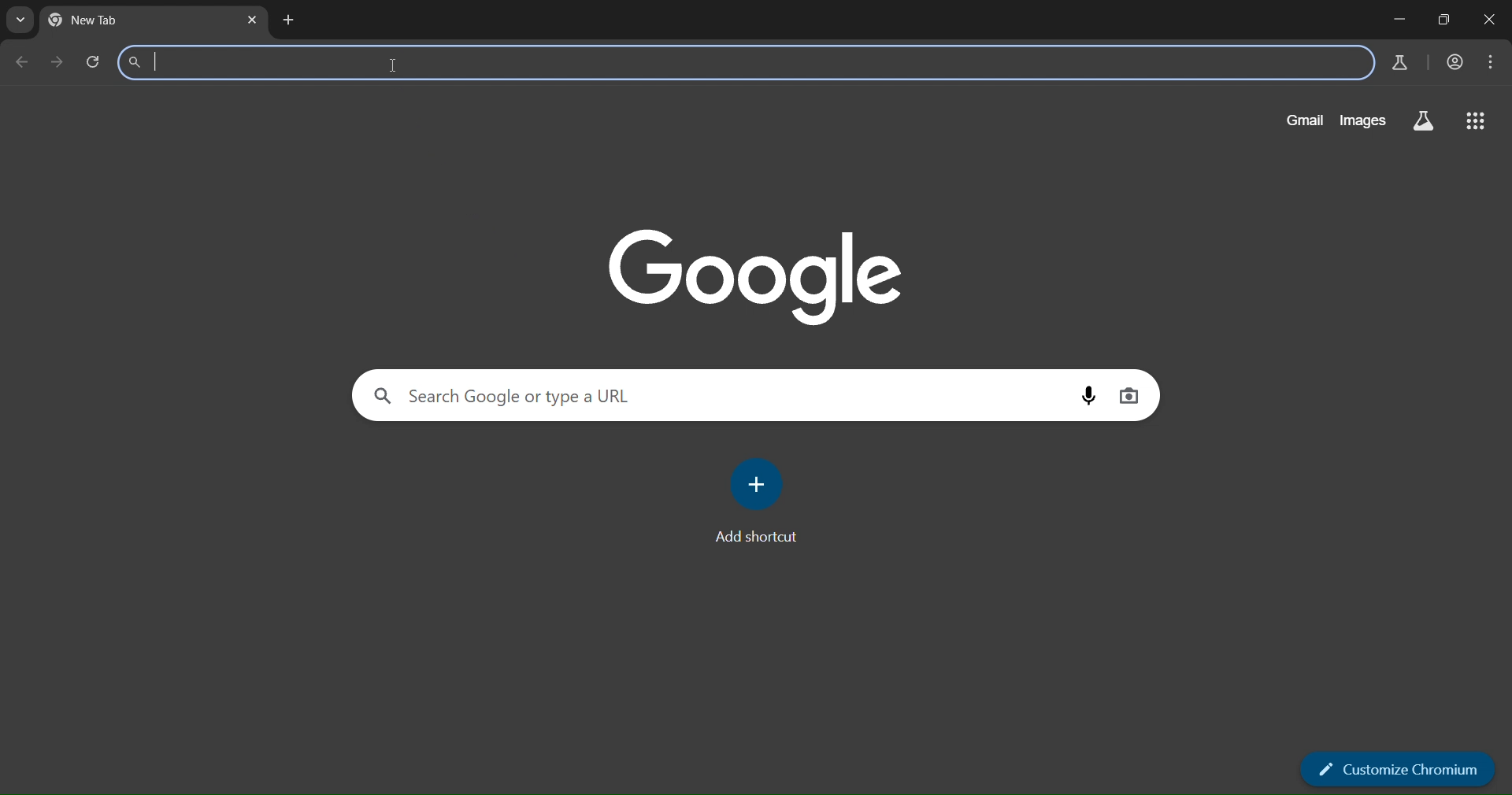 This screenshot has height=795, width=1512. Describe the element at coordinates (1367, 120) in the screenshot. I see `images` at that location.